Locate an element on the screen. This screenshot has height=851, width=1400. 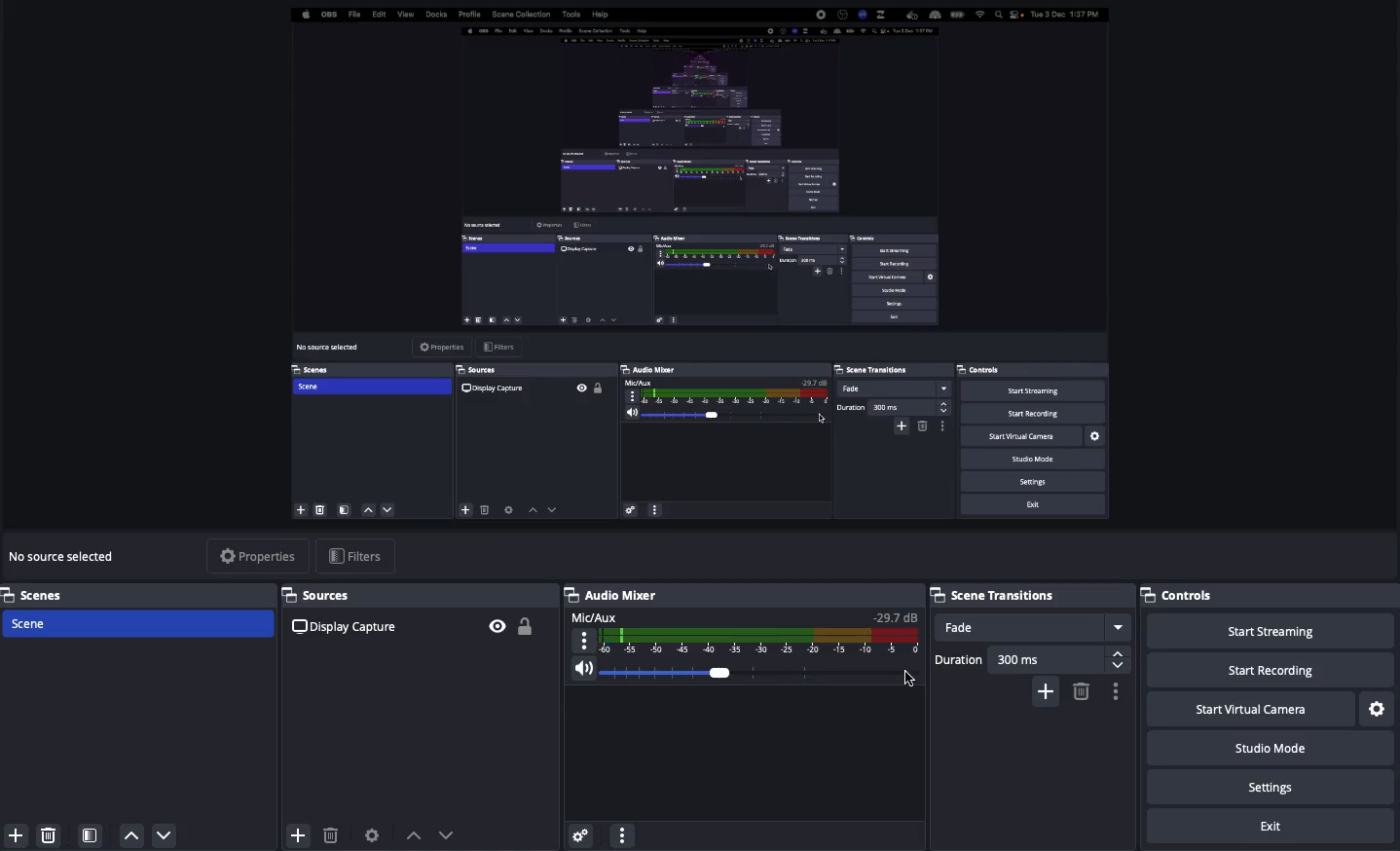
Scene transitions is located at coordinates (998, 596).